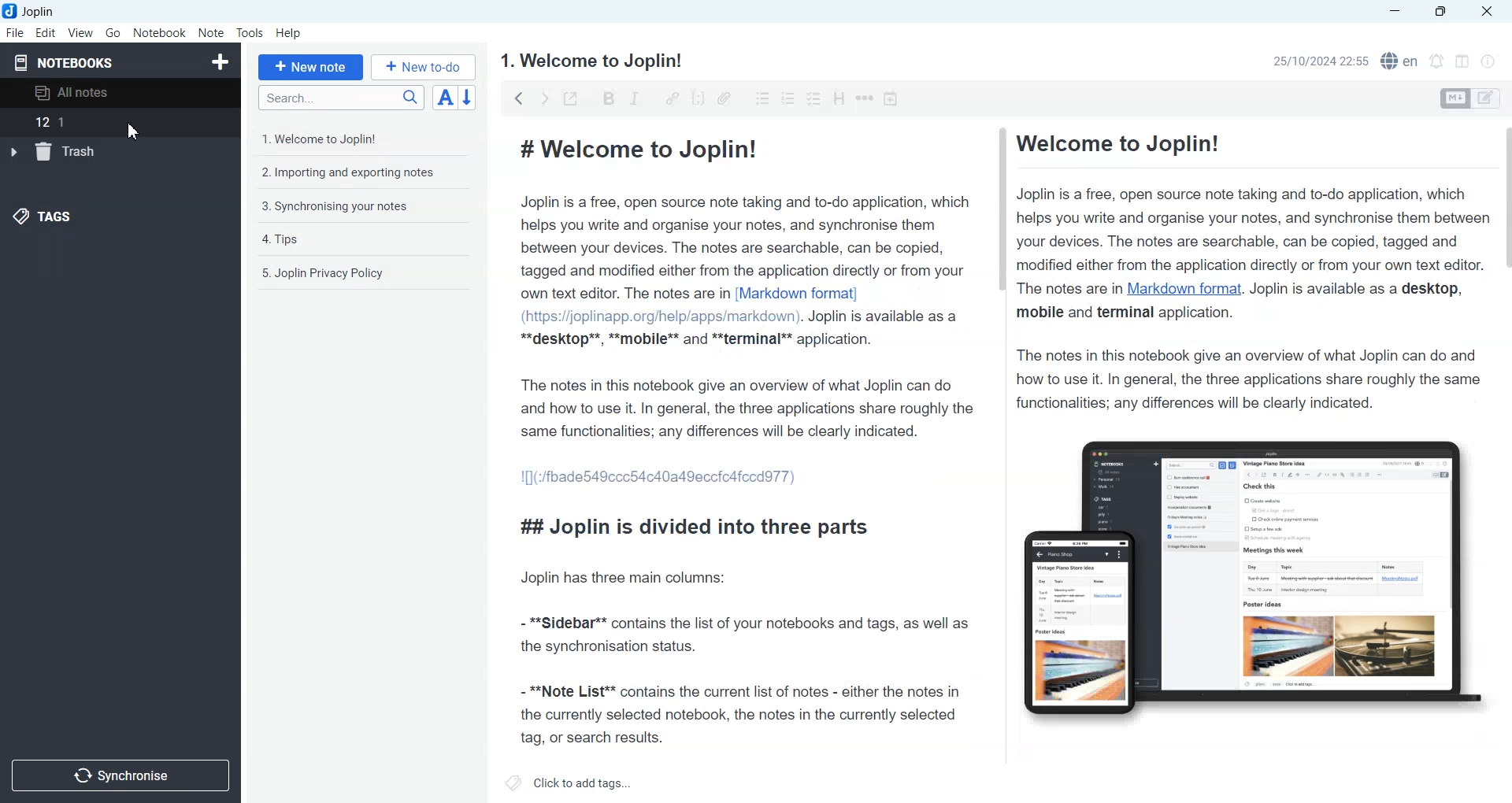 This screenshot has height=803, width=1512. I want to click on Minimize, so click(1395, 12).